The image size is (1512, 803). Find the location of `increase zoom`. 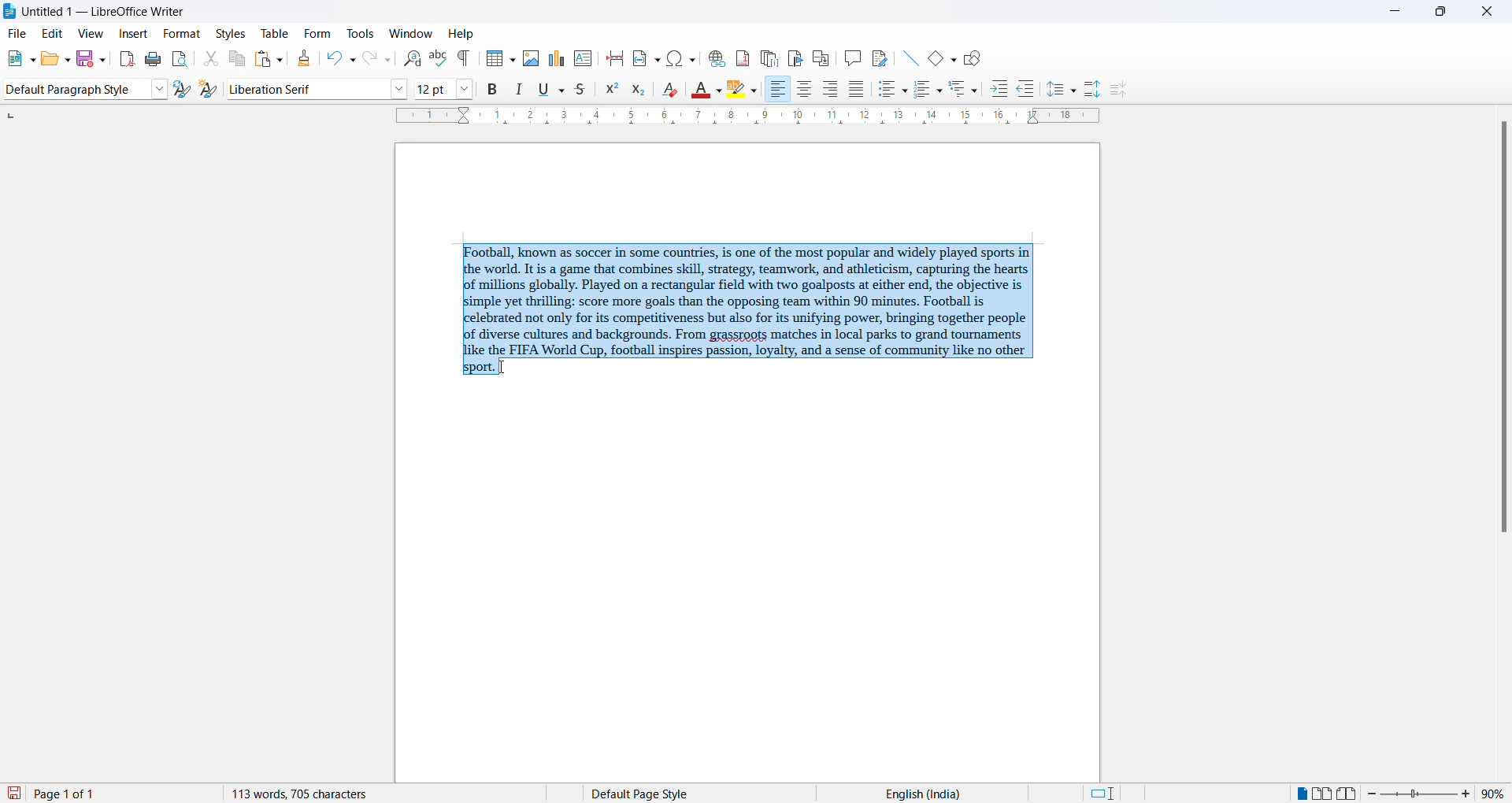

increase zoom is located at coordinates (1470, 794).